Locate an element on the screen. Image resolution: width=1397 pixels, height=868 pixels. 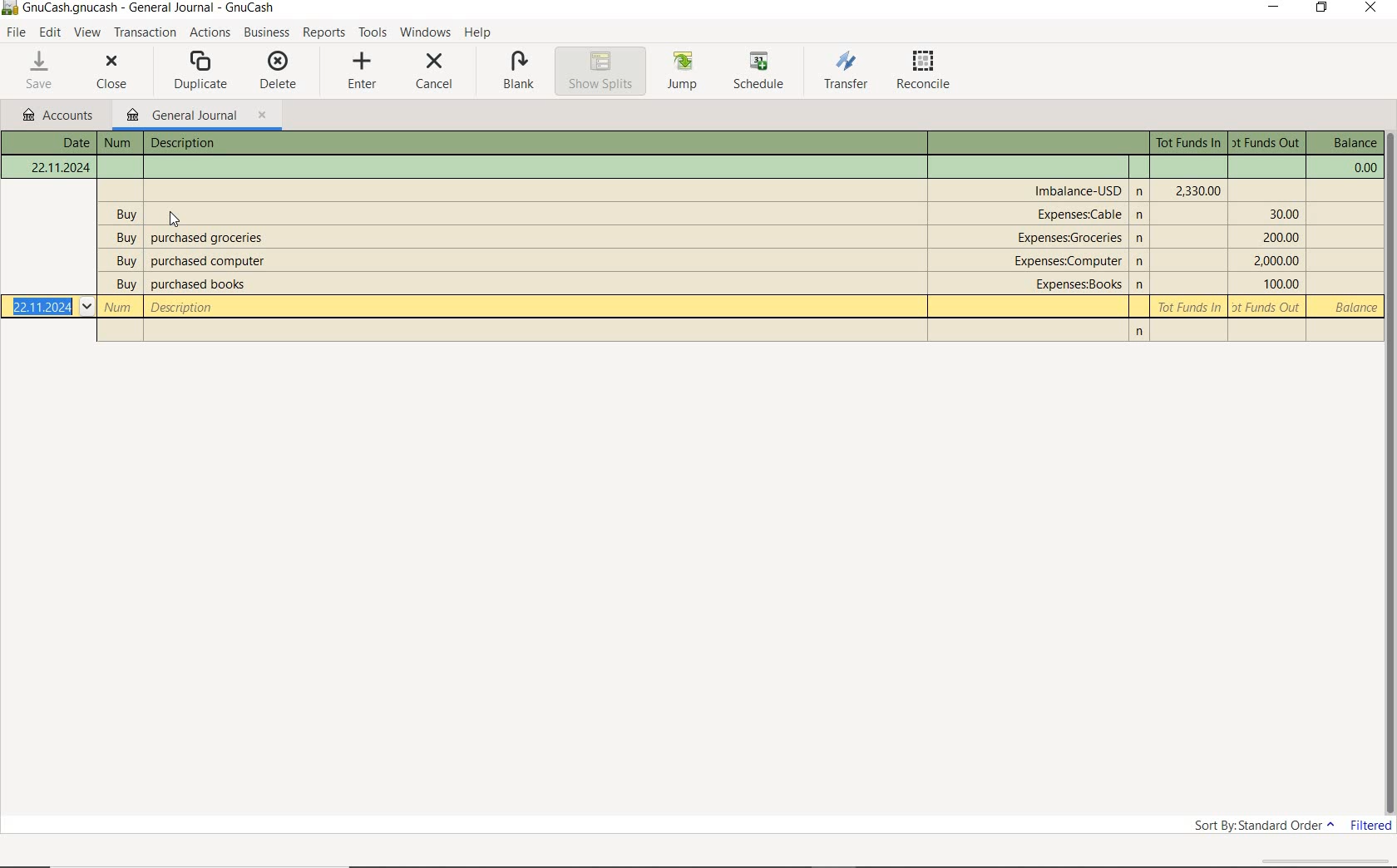
blank is located at coordinates (515, 72).